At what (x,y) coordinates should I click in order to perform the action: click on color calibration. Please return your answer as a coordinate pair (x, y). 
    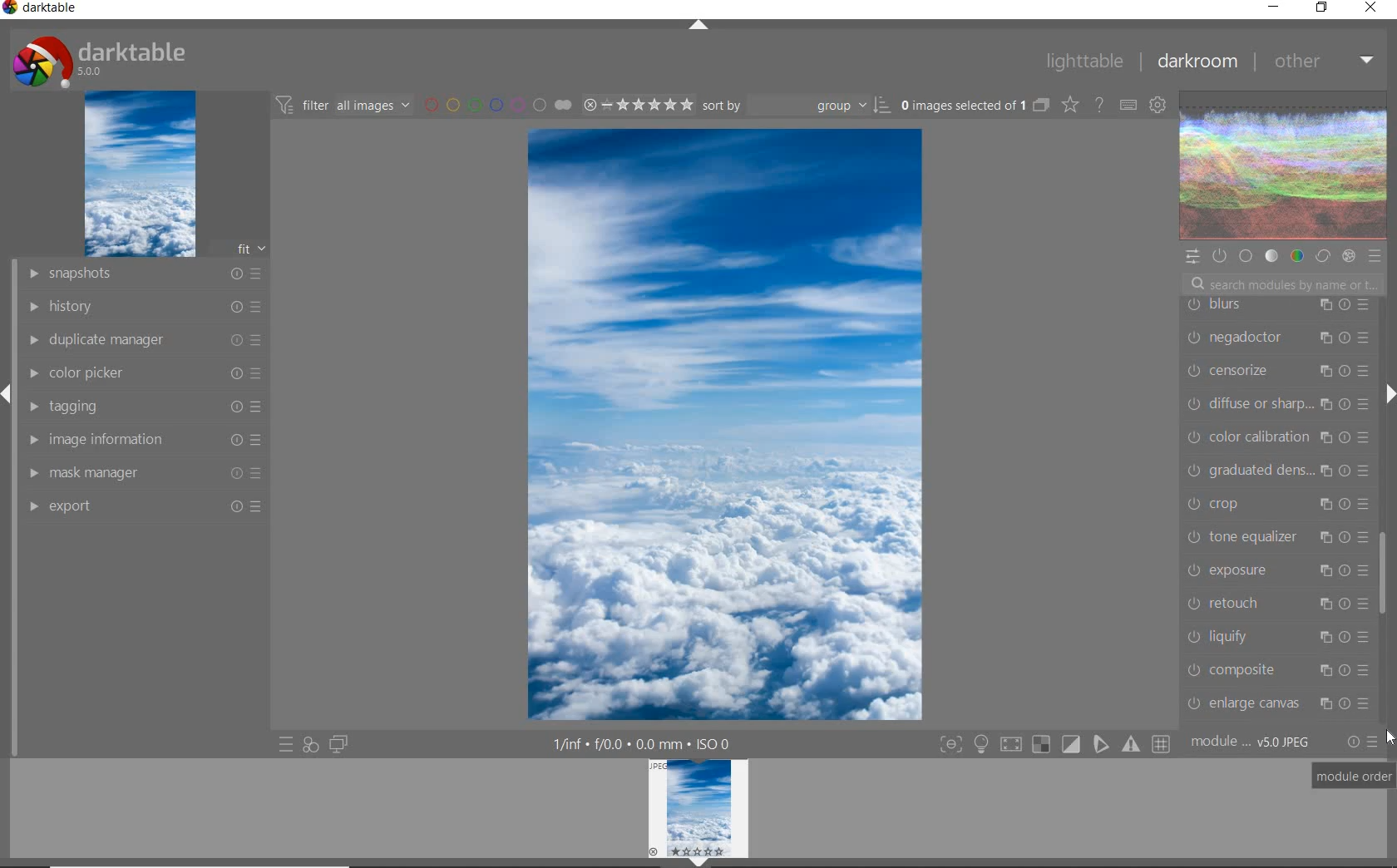
    Looking at the image, I should click on (1279, 437).